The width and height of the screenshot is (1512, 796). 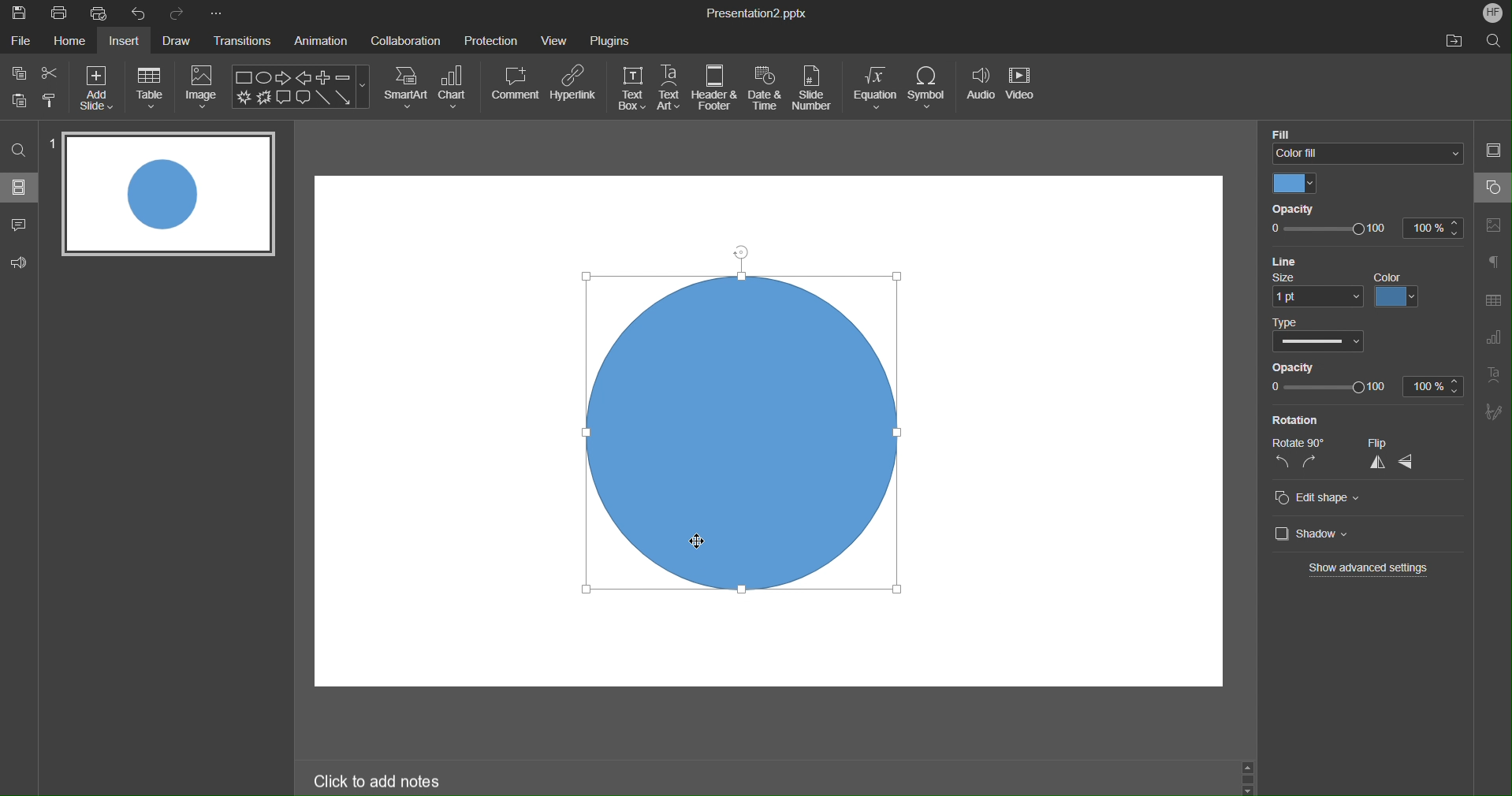 I want to click on Plugins, so click(x=610, y=38).